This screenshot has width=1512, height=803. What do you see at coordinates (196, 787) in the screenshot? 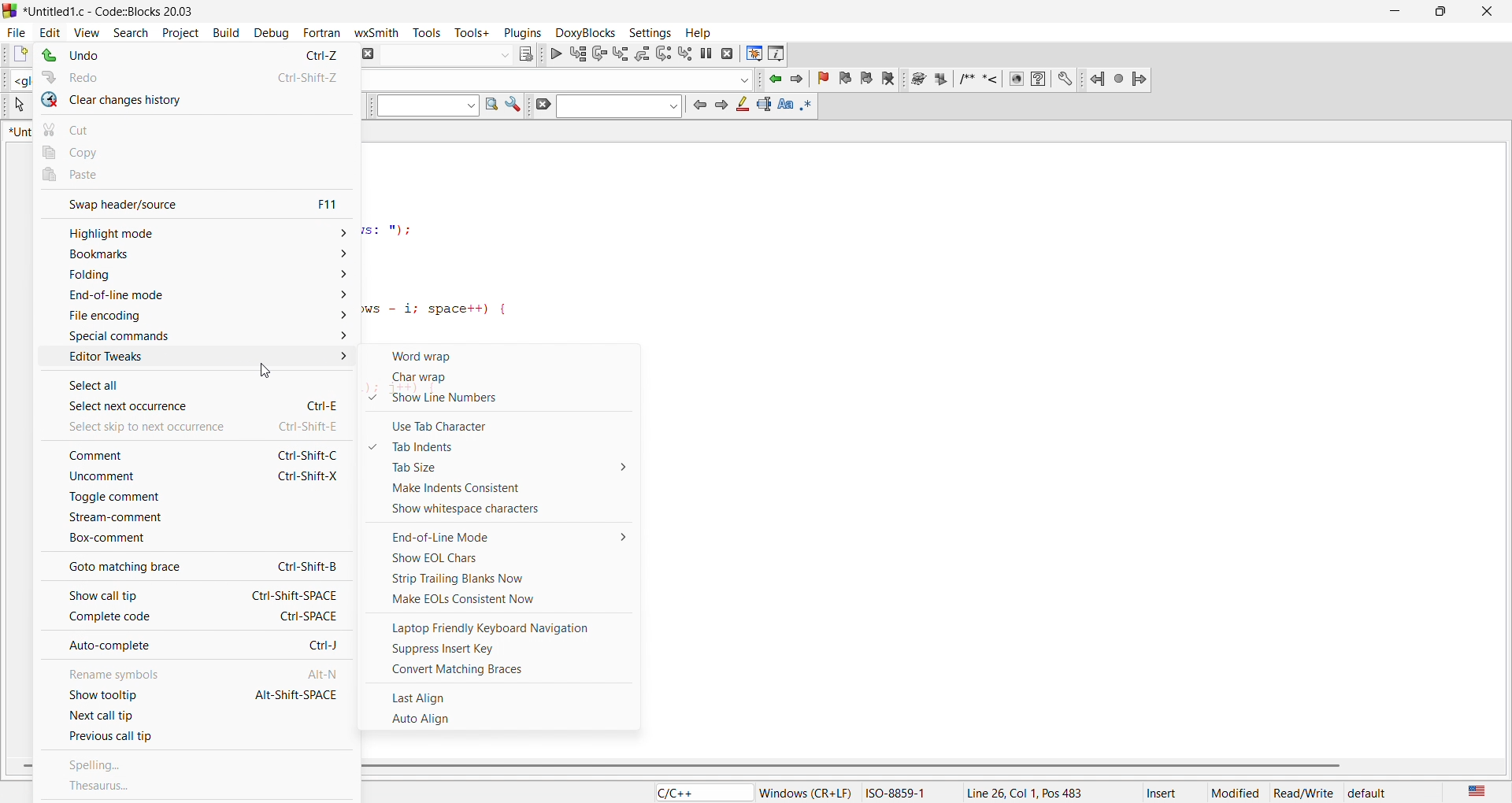
I see `thesaurus ` at bounding box center [196, 787].